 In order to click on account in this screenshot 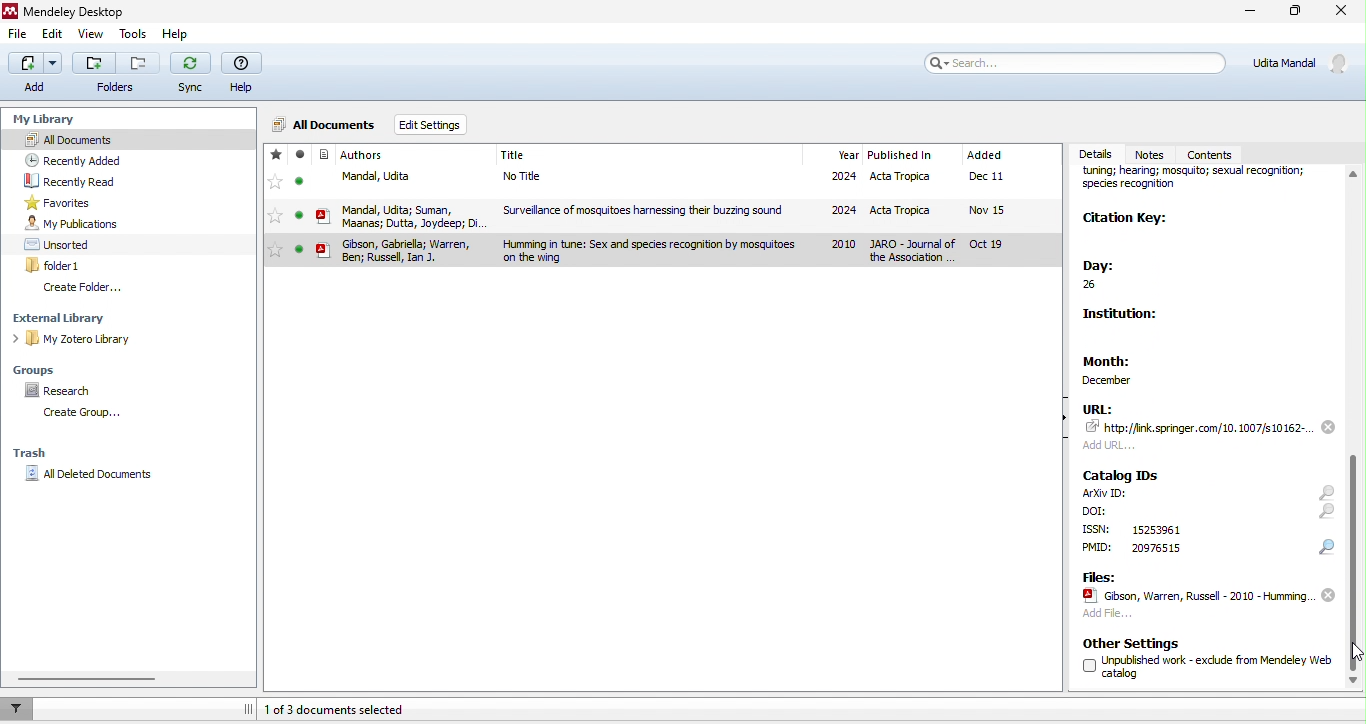, I will do `click(1302, 62)`.